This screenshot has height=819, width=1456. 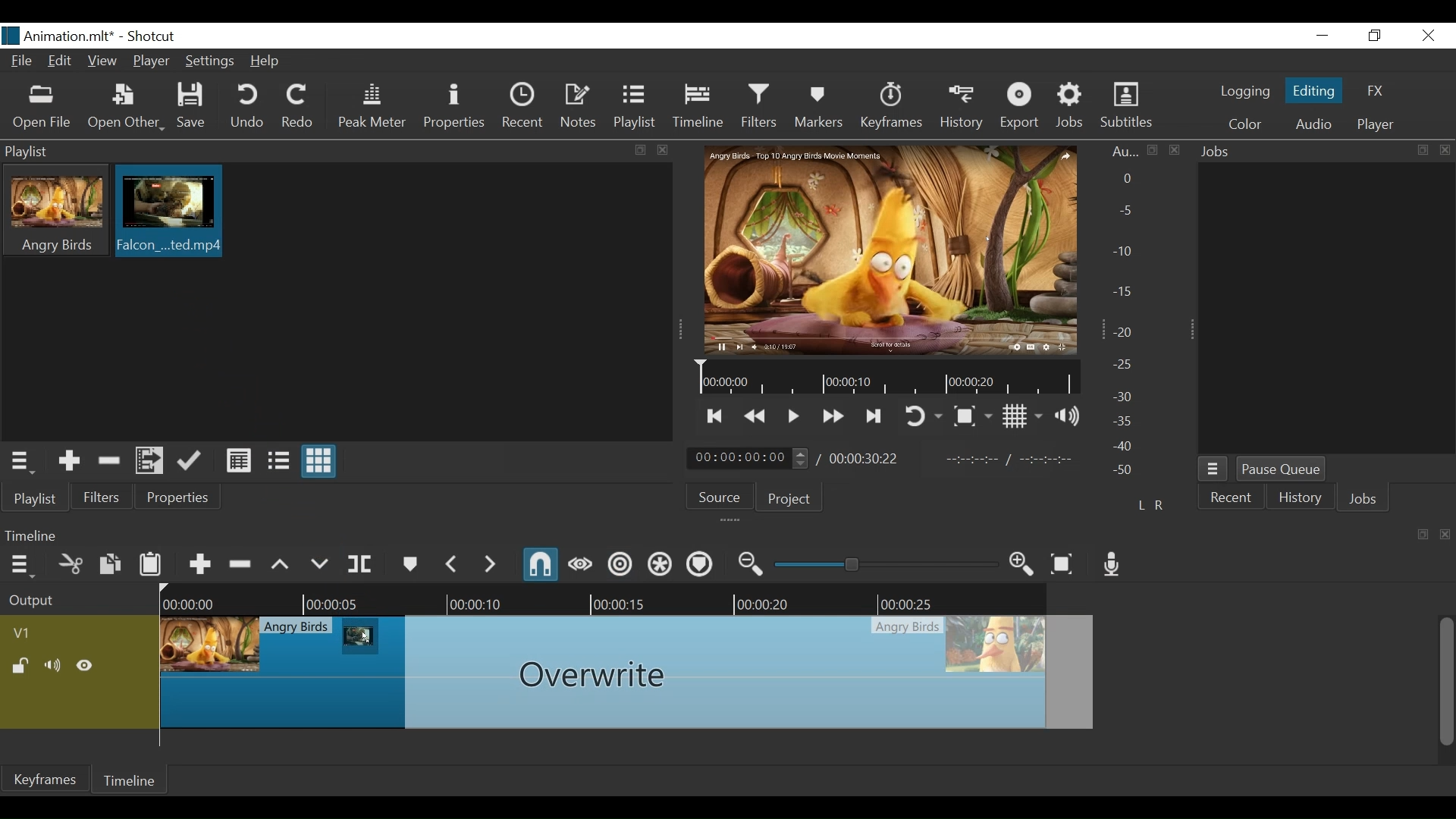 I want to click on Undo, so click(x=248, y=107).